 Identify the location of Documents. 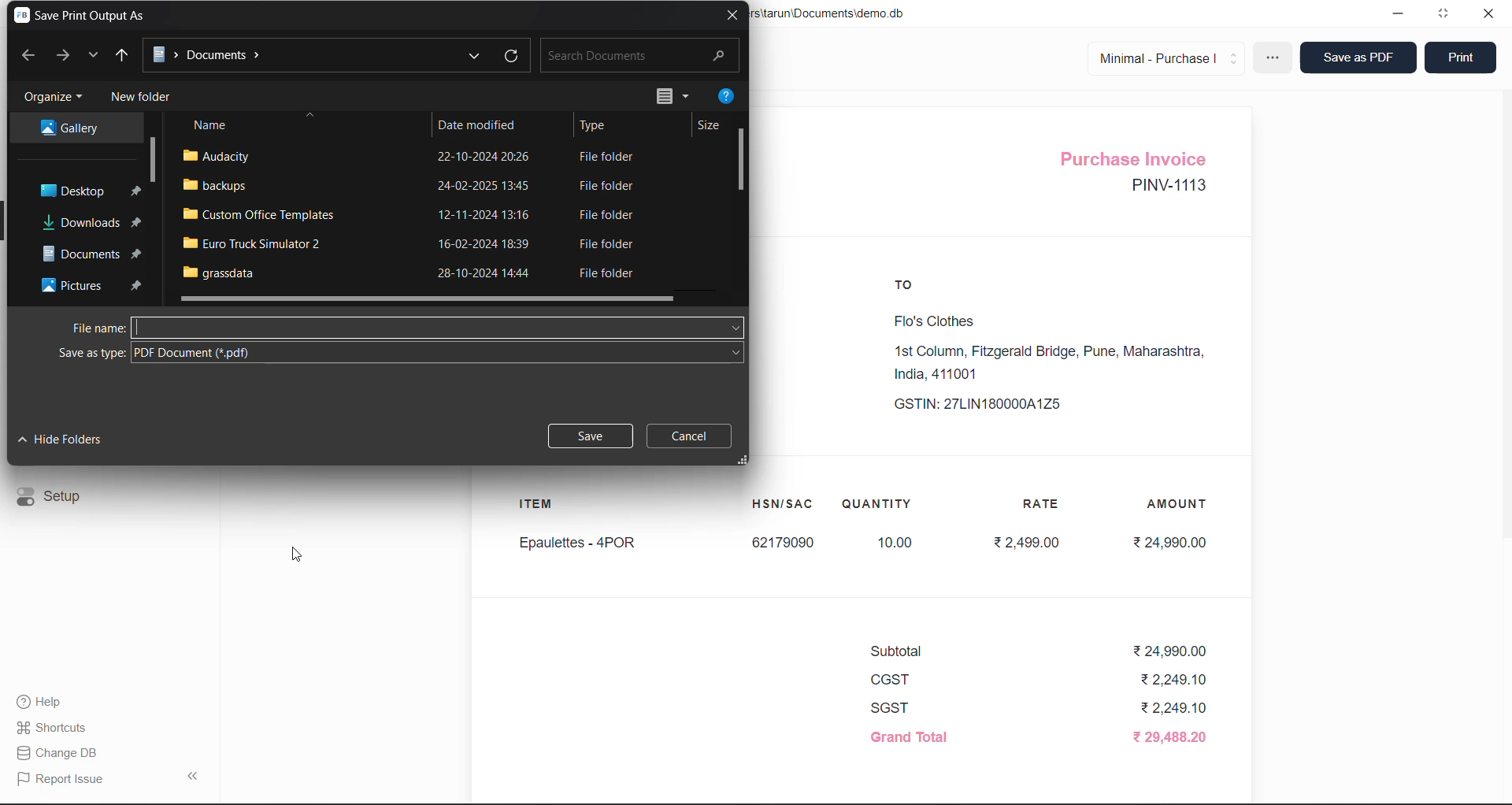
(92, 252).